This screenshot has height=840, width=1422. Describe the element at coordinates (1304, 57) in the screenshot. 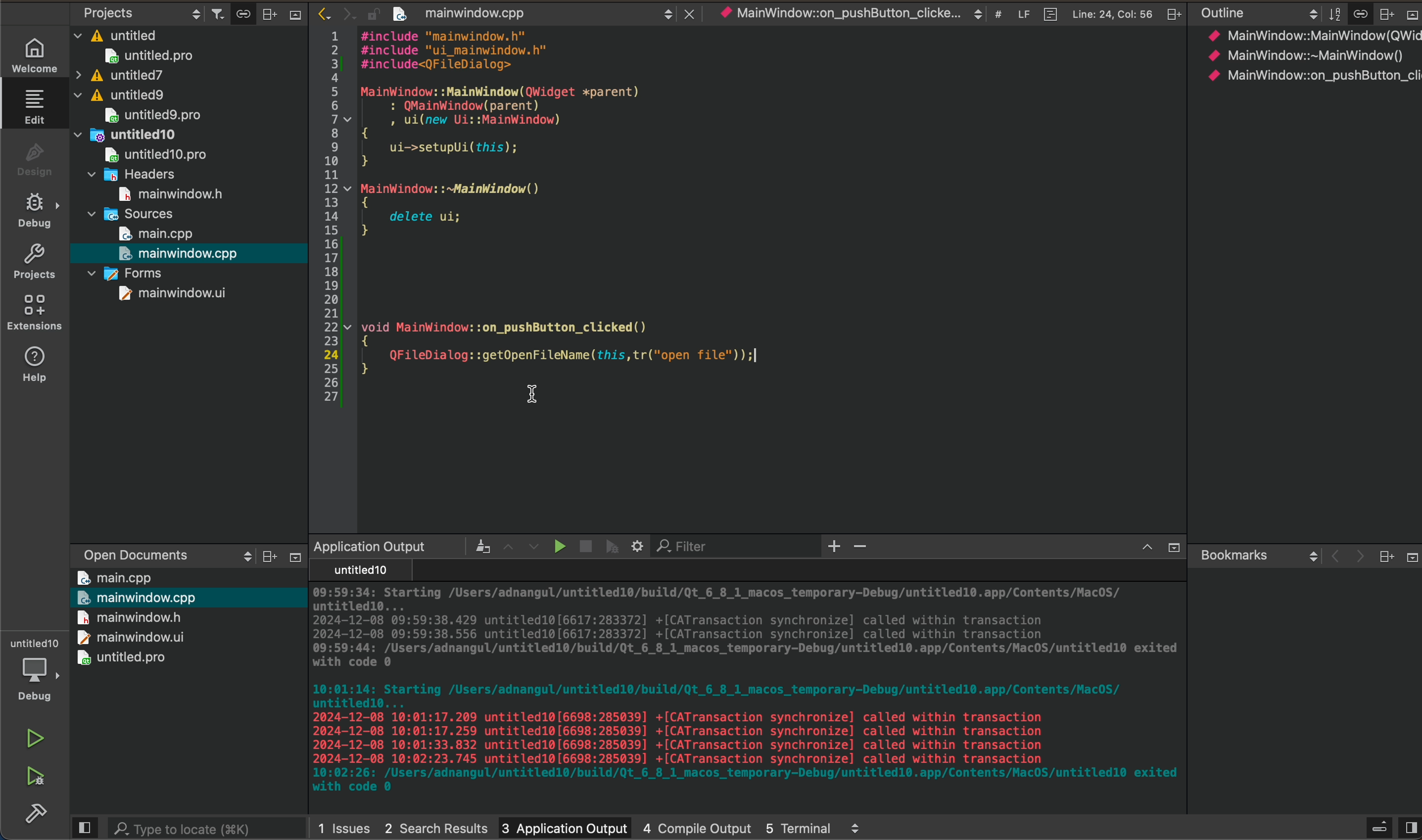

I see `¢ MainWindow::~MainWindow()` at that location.